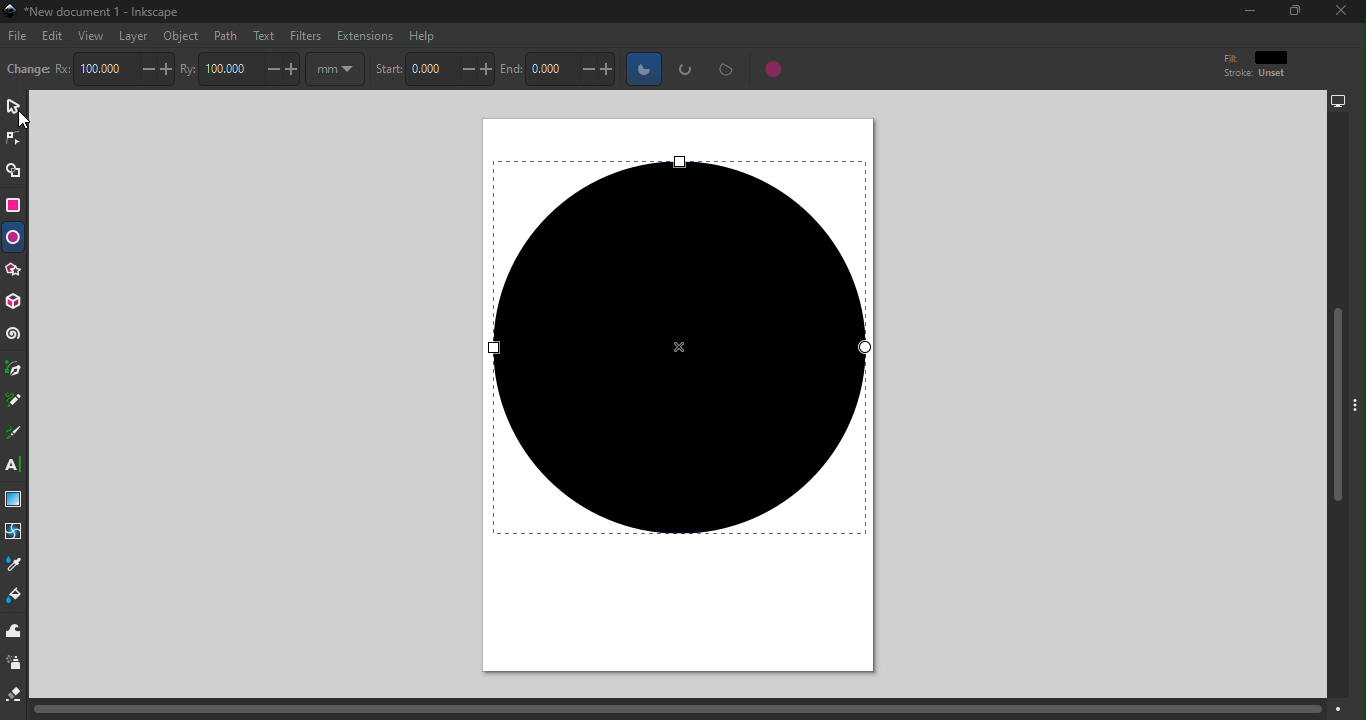  Describe the element at coordinates (264, 36) in the screenshot. I see `Text` at that location.